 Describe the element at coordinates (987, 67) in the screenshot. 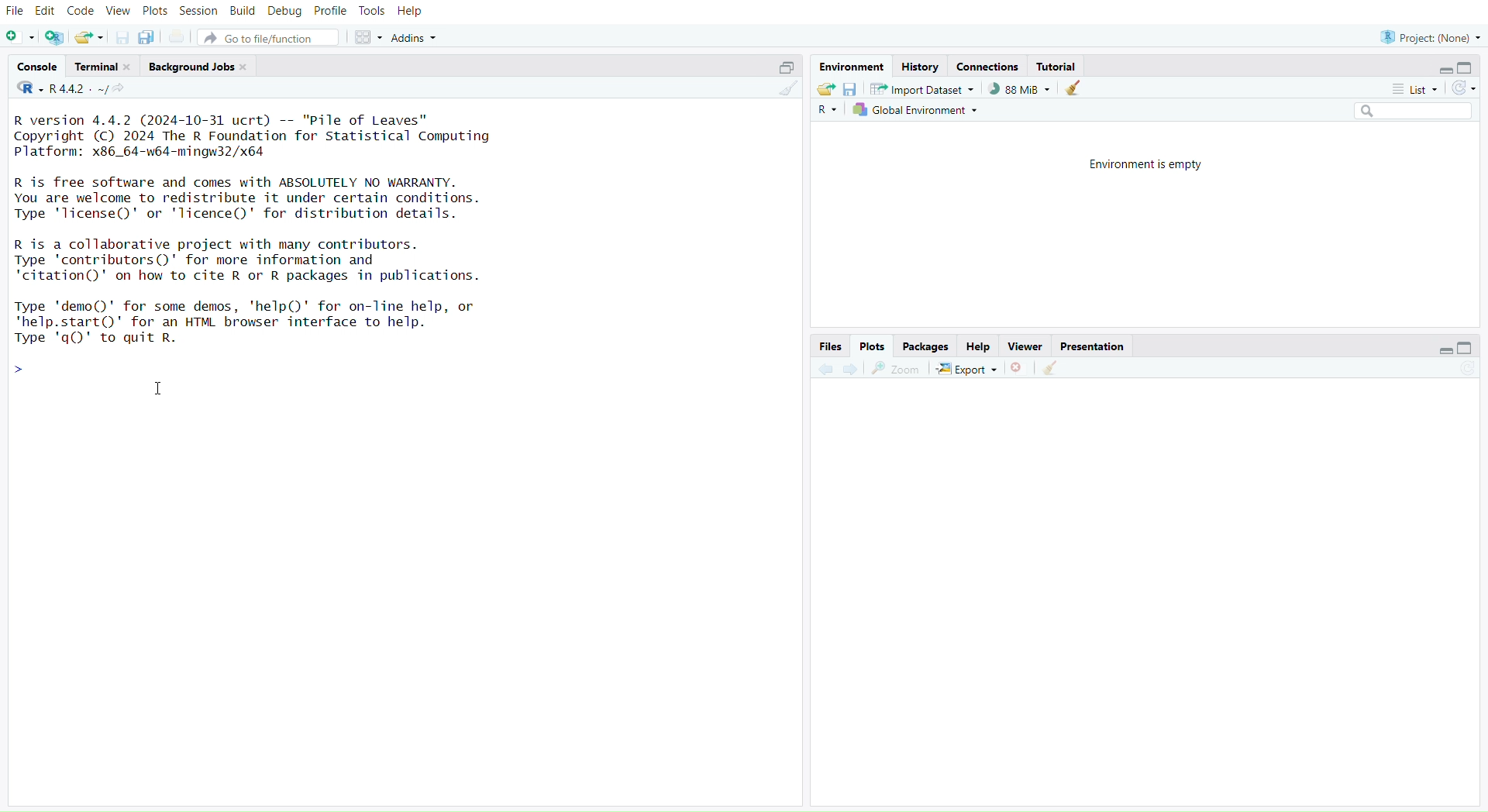

I see `connections` at that location.